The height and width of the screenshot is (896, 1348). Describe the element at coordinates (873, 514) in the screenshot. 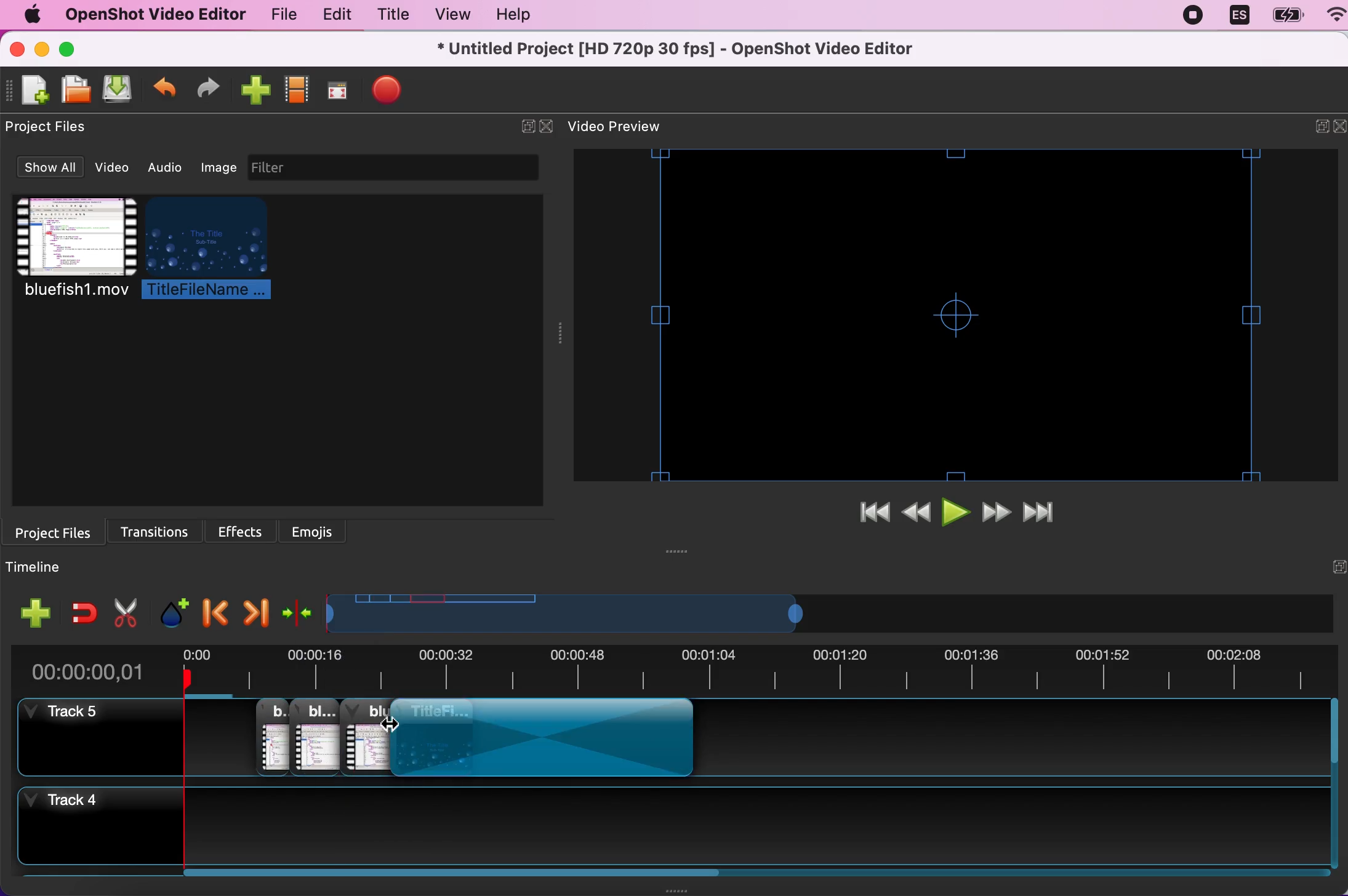

I see `jump to start` at that location.